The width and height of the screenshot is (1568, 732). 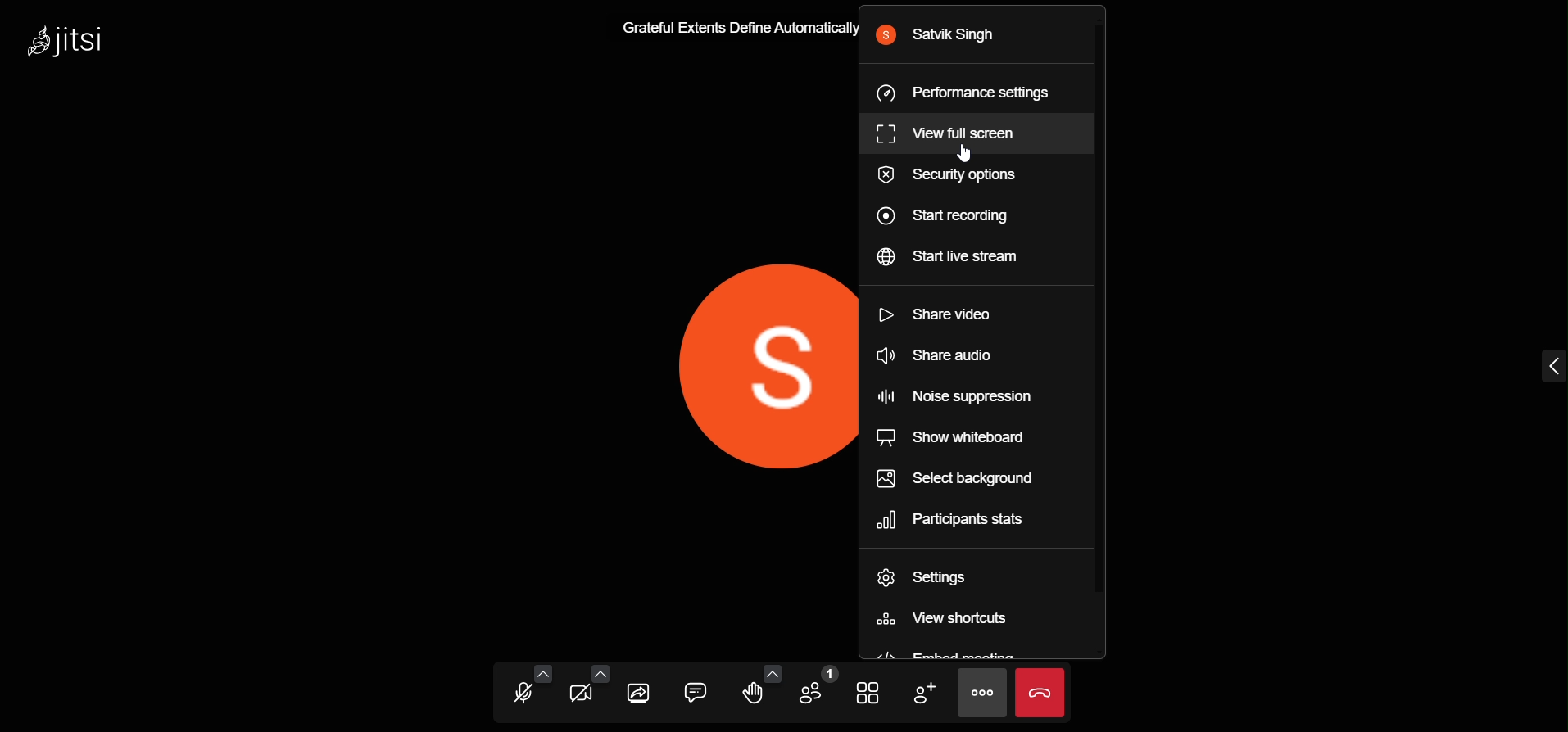 What do you see at coordinates (943, 38) in the screenshot?
I see `user name` at bounding box center [943, 38].